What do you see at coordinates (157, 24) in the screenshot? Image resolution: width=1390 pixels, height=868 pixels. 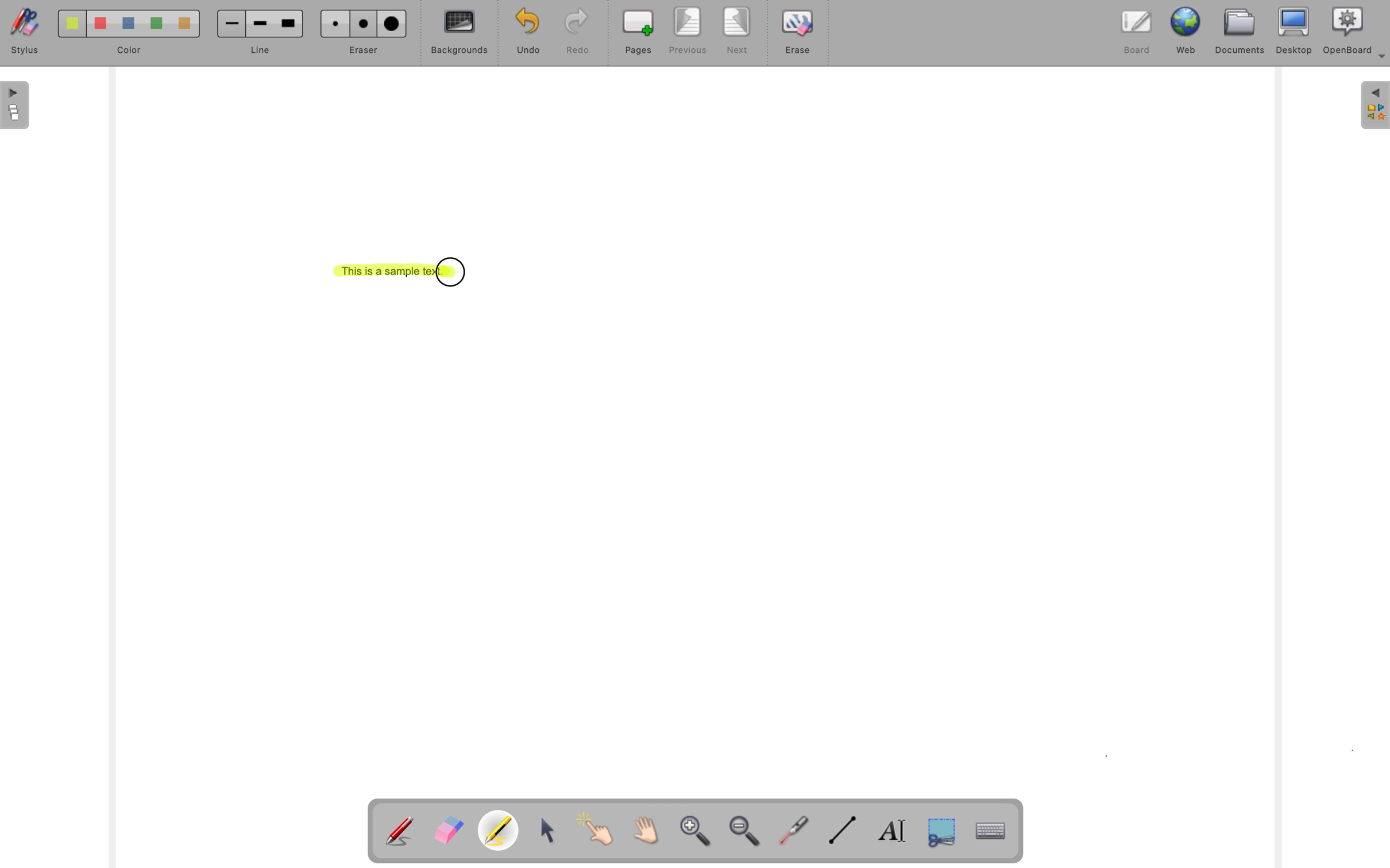 I see `Color 4` at bounding box center [157, 24].